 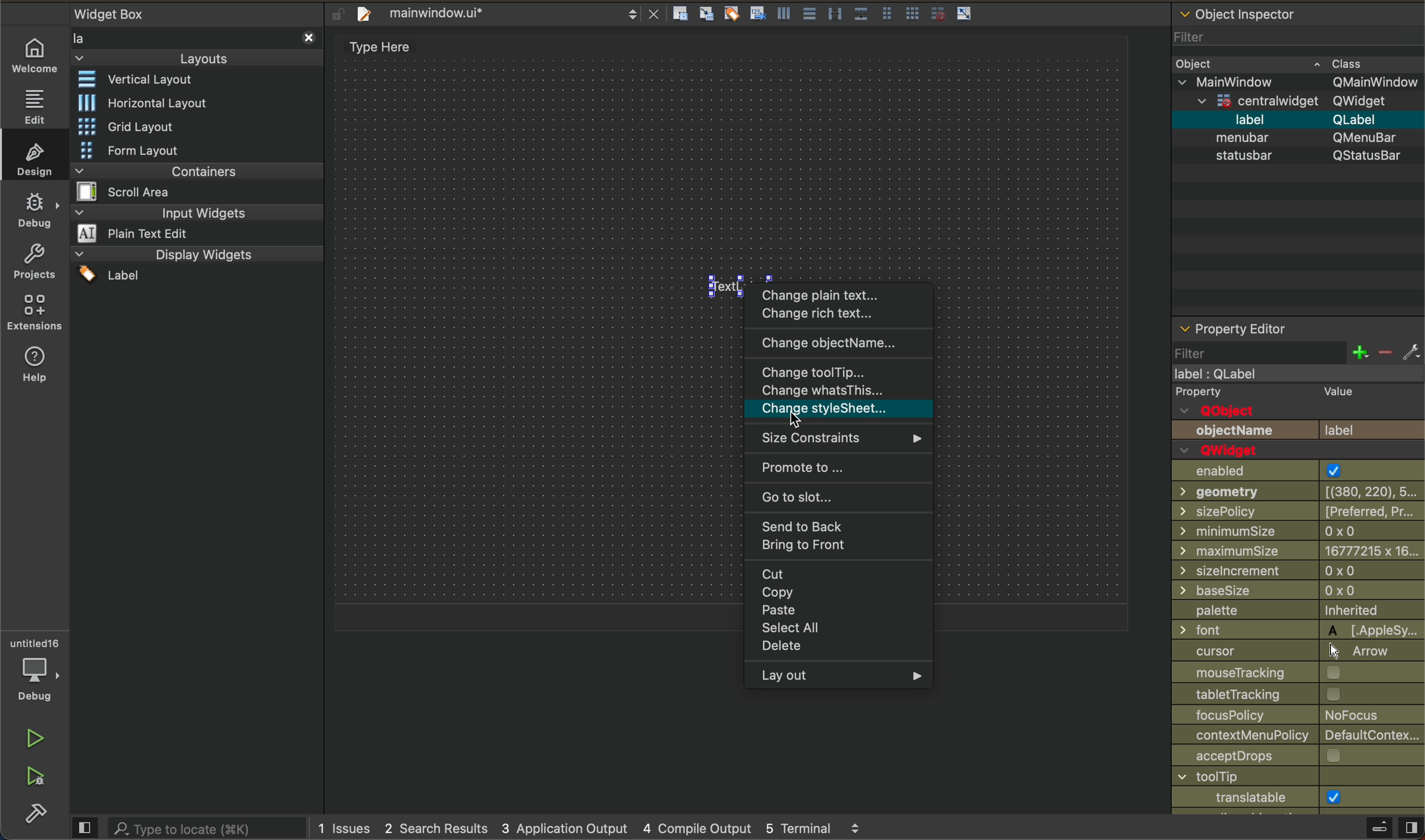 What do you see at coordinates (1256, 39) in the screenshot?
I see `filter` at bounding box center [1256, 39].